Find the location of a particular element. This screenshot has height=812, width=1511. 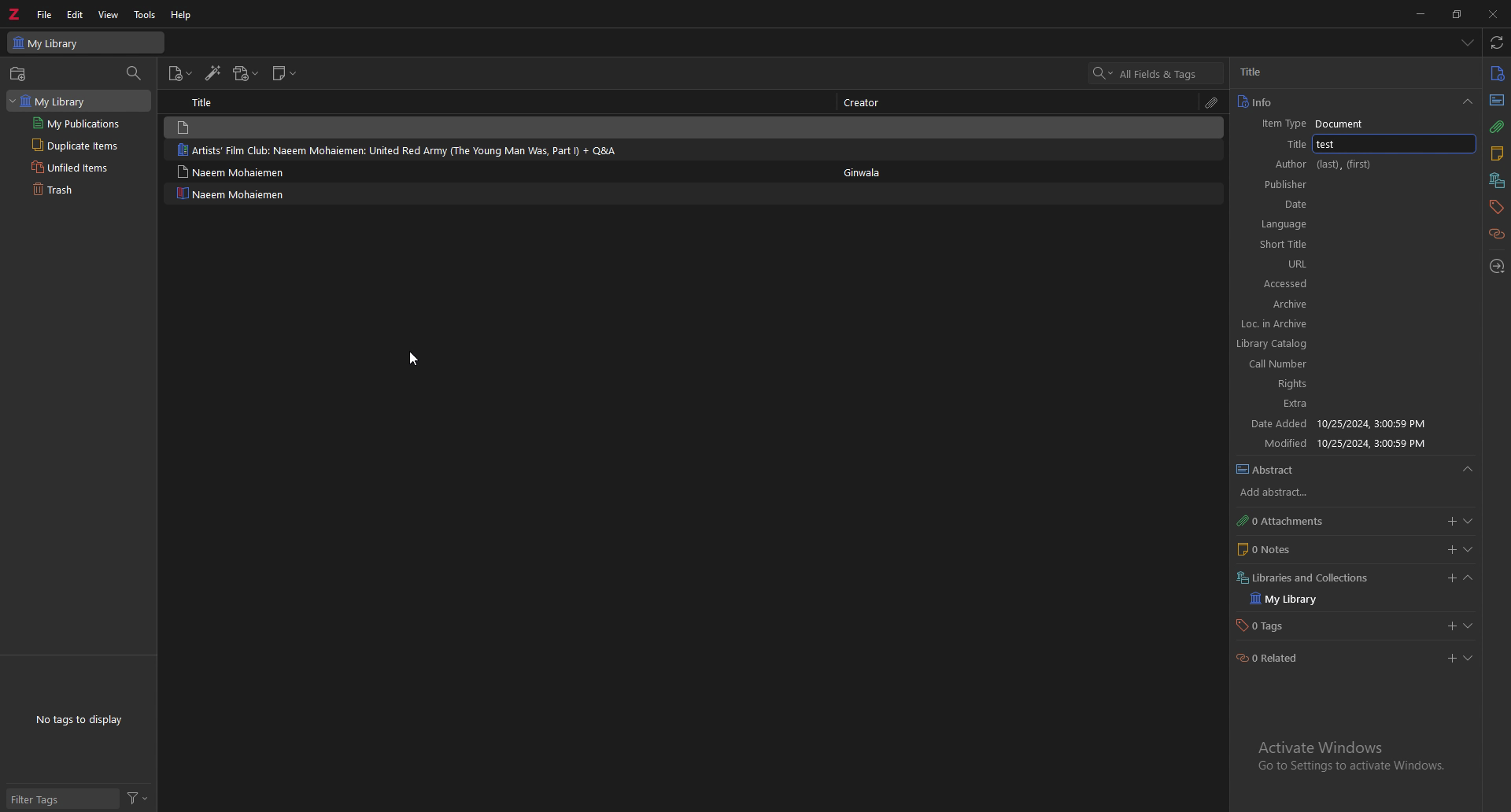

author name is located at coordinates (1351, 72).